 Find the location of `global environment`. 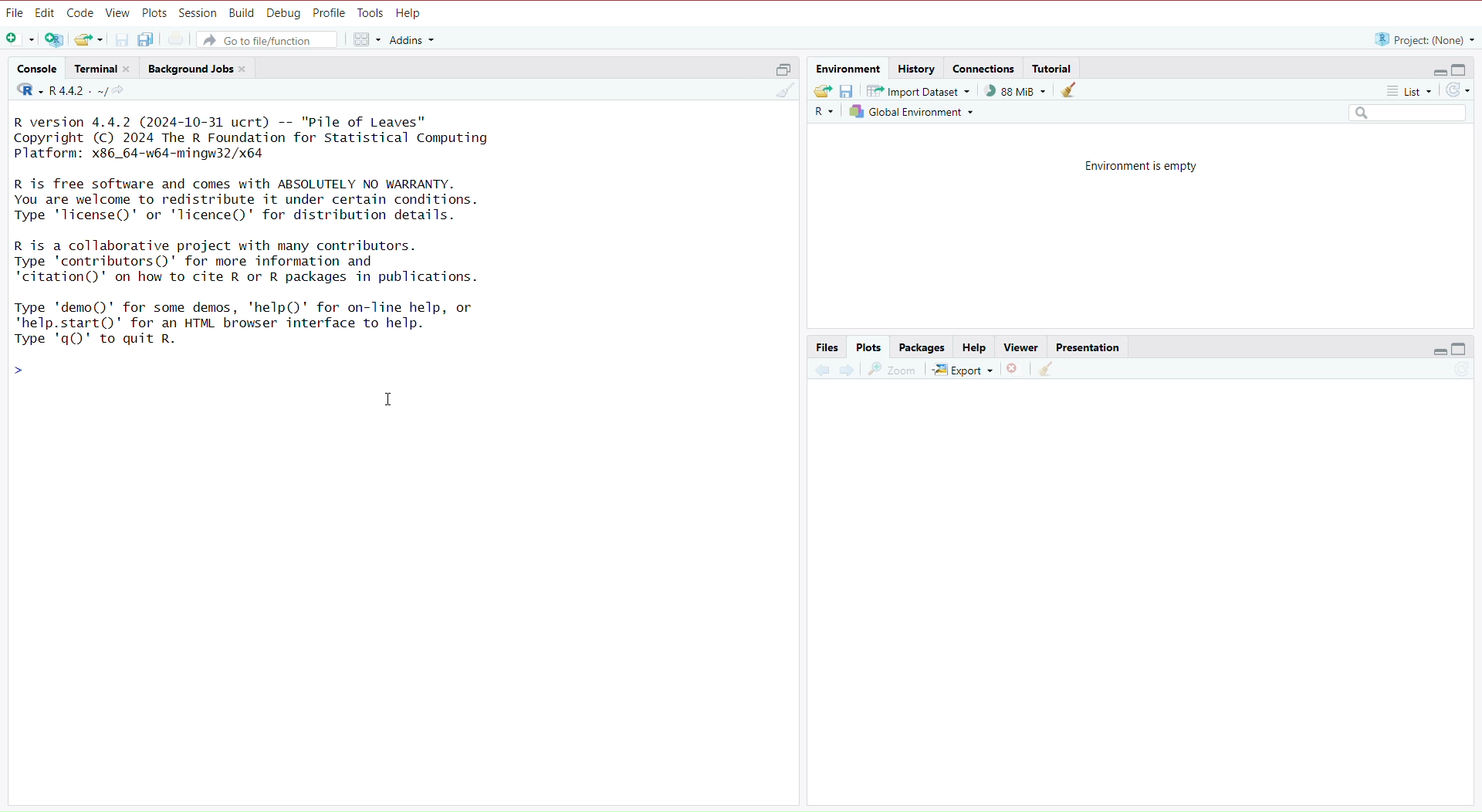

global environment is located at coordinates (911, 111).